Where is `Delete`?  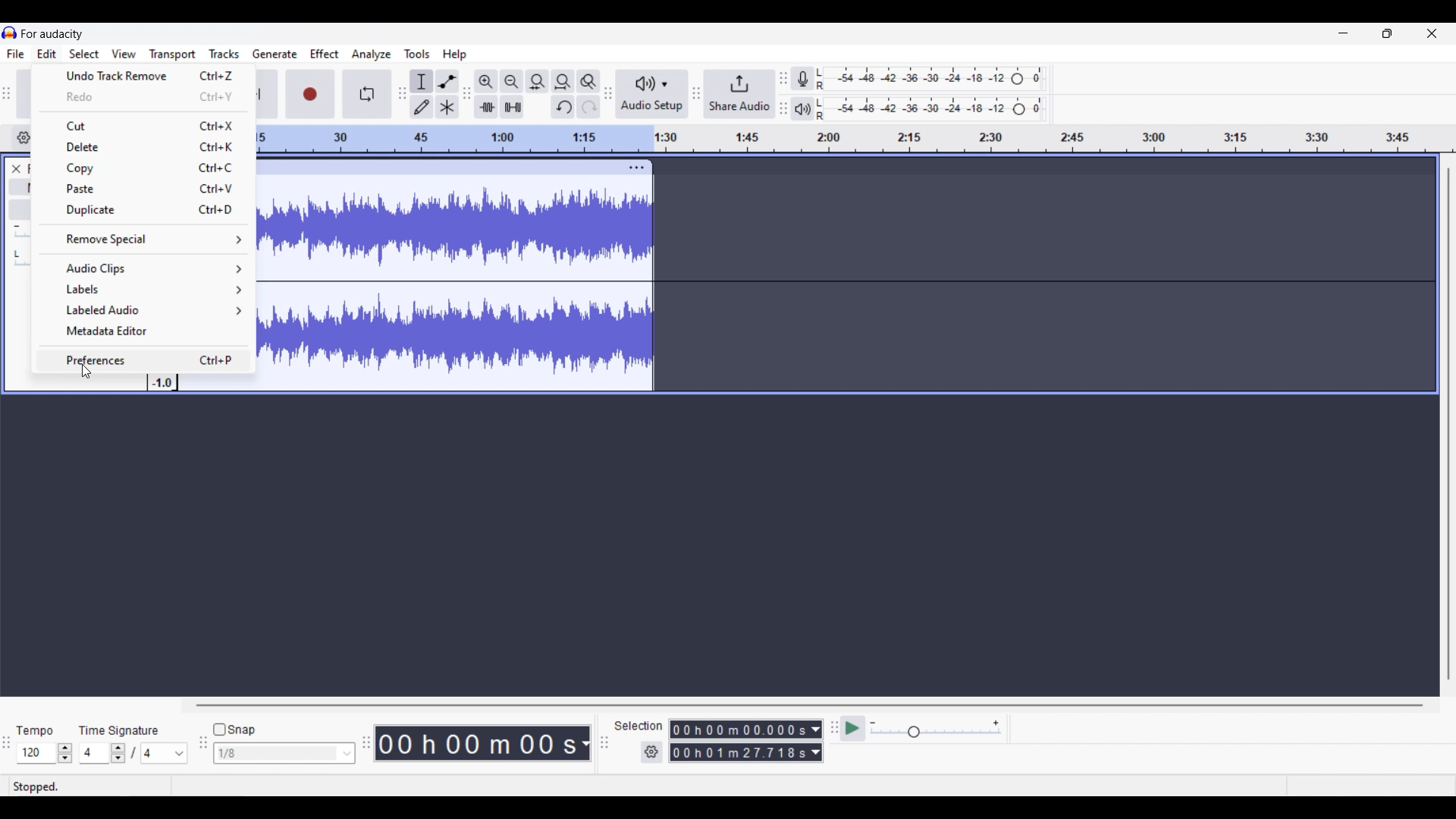 Delete is located at coordinates (147, 147).